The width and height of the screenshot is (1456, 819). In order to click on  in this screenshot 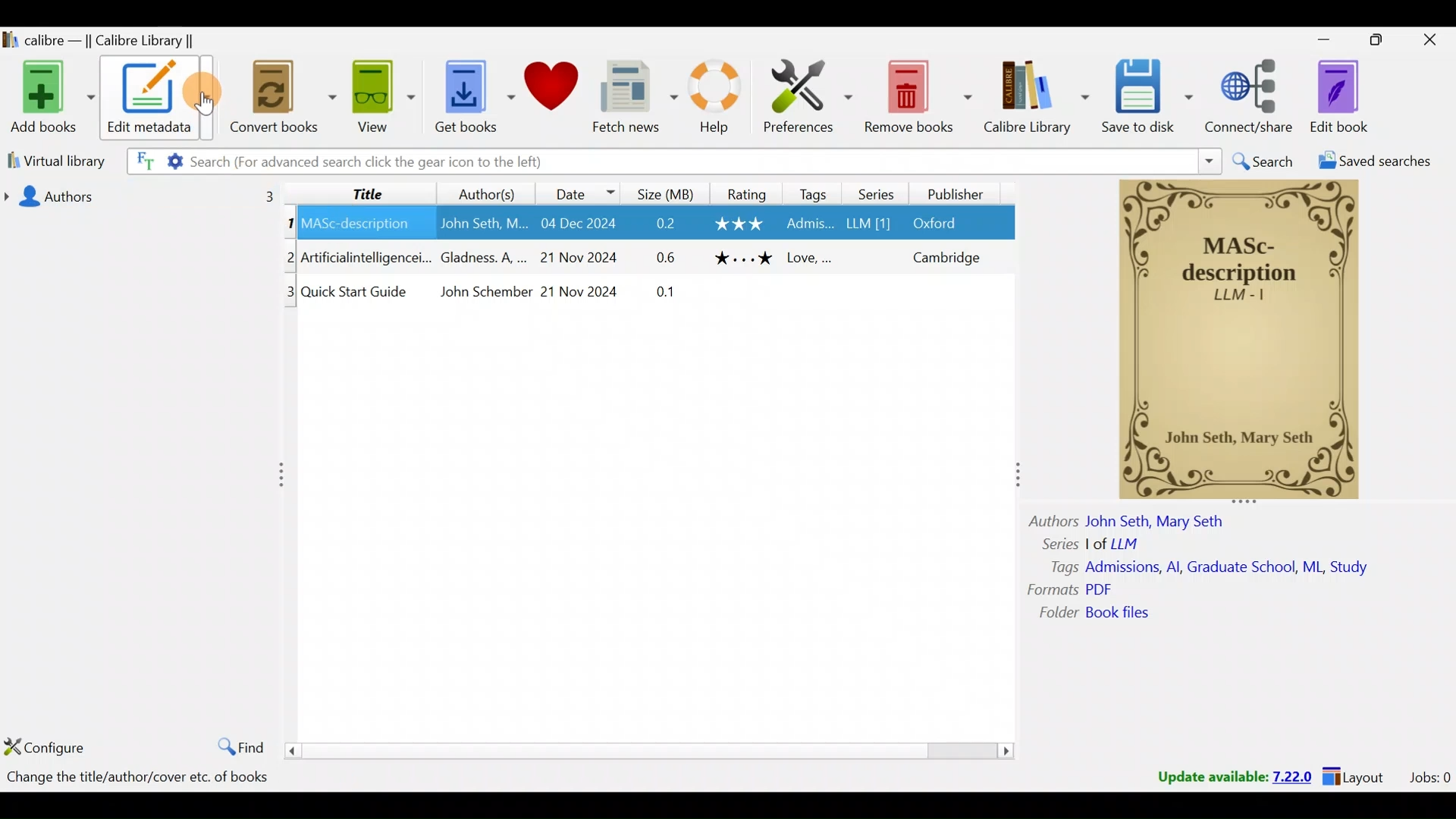, I will do `click(1115, 545)`.